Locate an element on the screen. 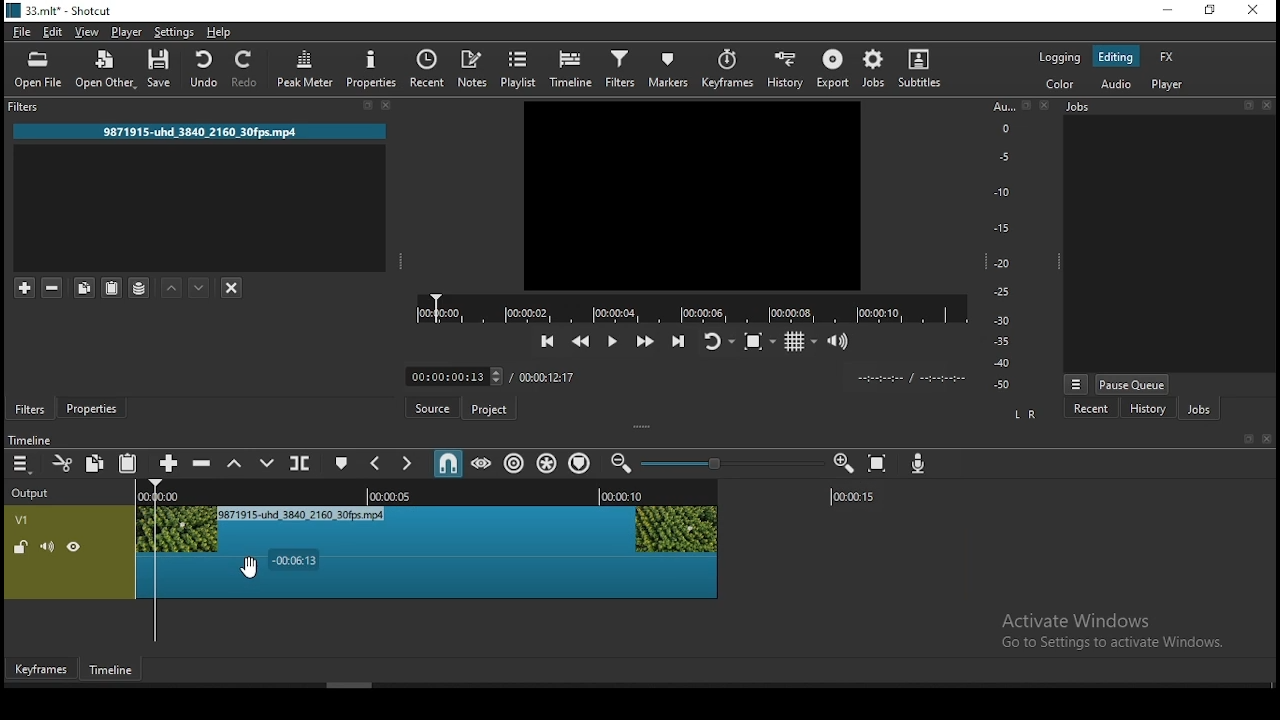  zoom timeline in is located at coordinates (845, 466).